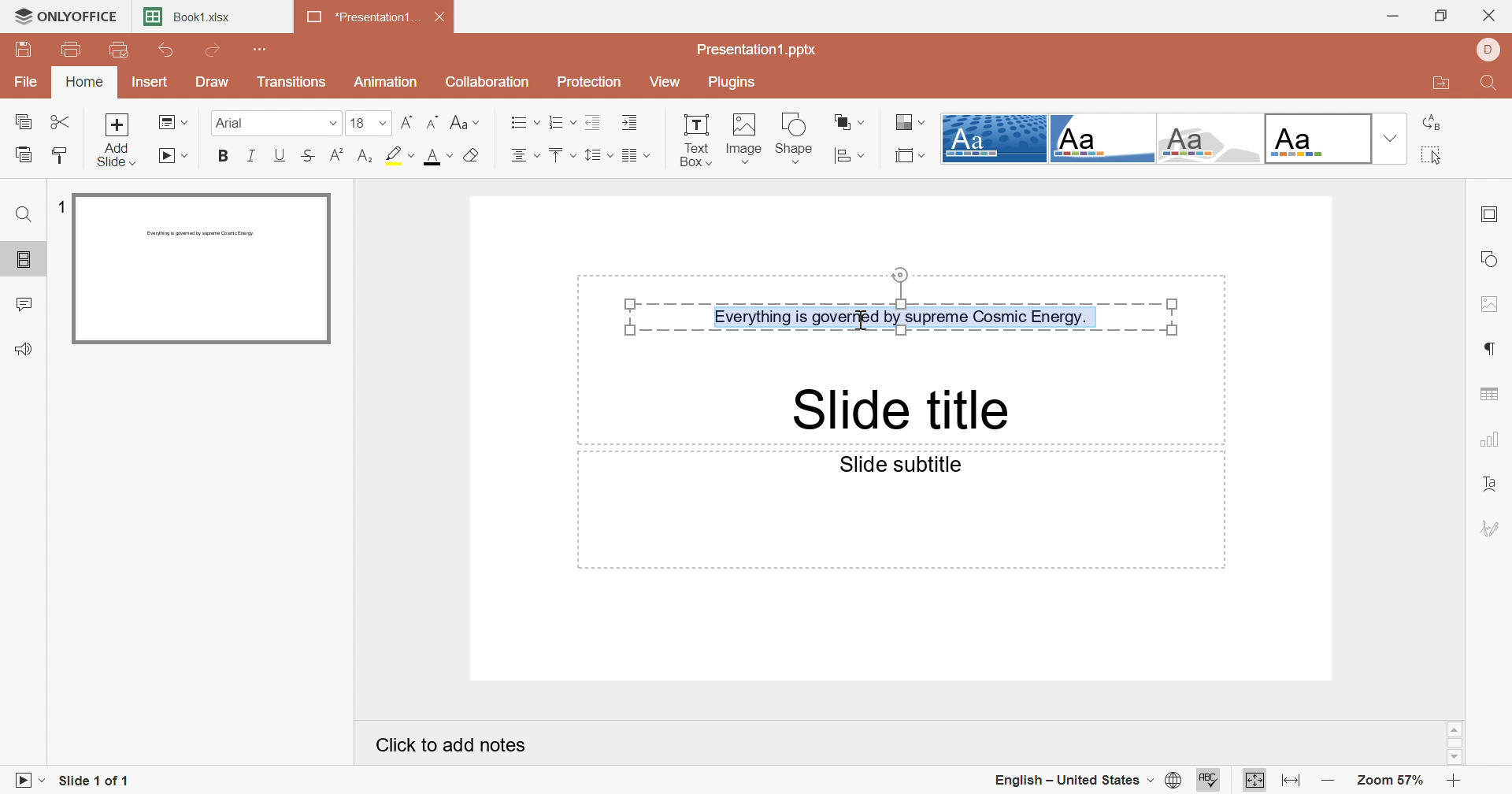 The image size is (1512, 794). I want to click on Shape settings, so click(1494, 256).